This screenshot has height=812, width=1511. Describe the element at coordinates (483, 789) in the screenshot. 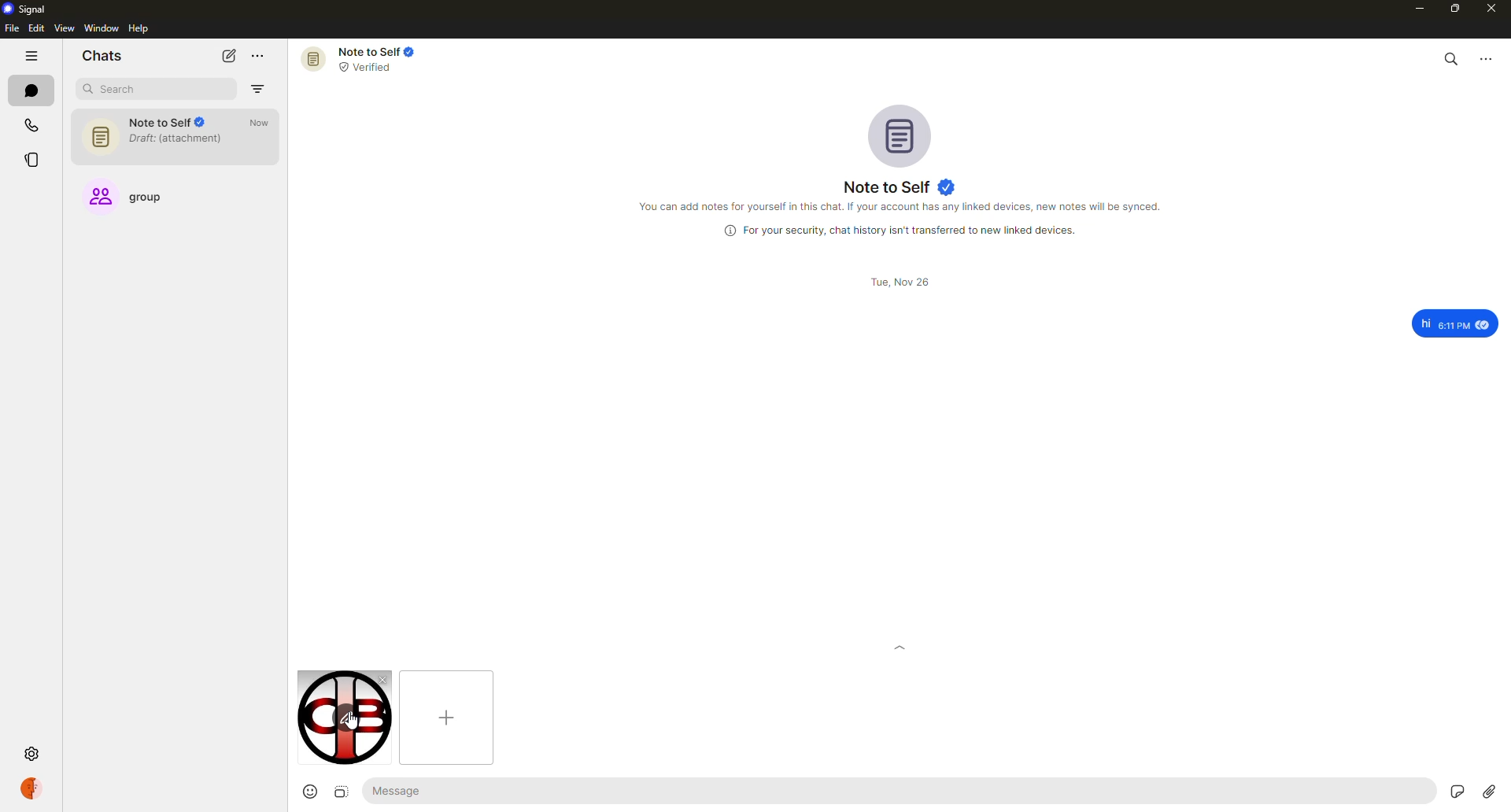

I see `message` at that location.